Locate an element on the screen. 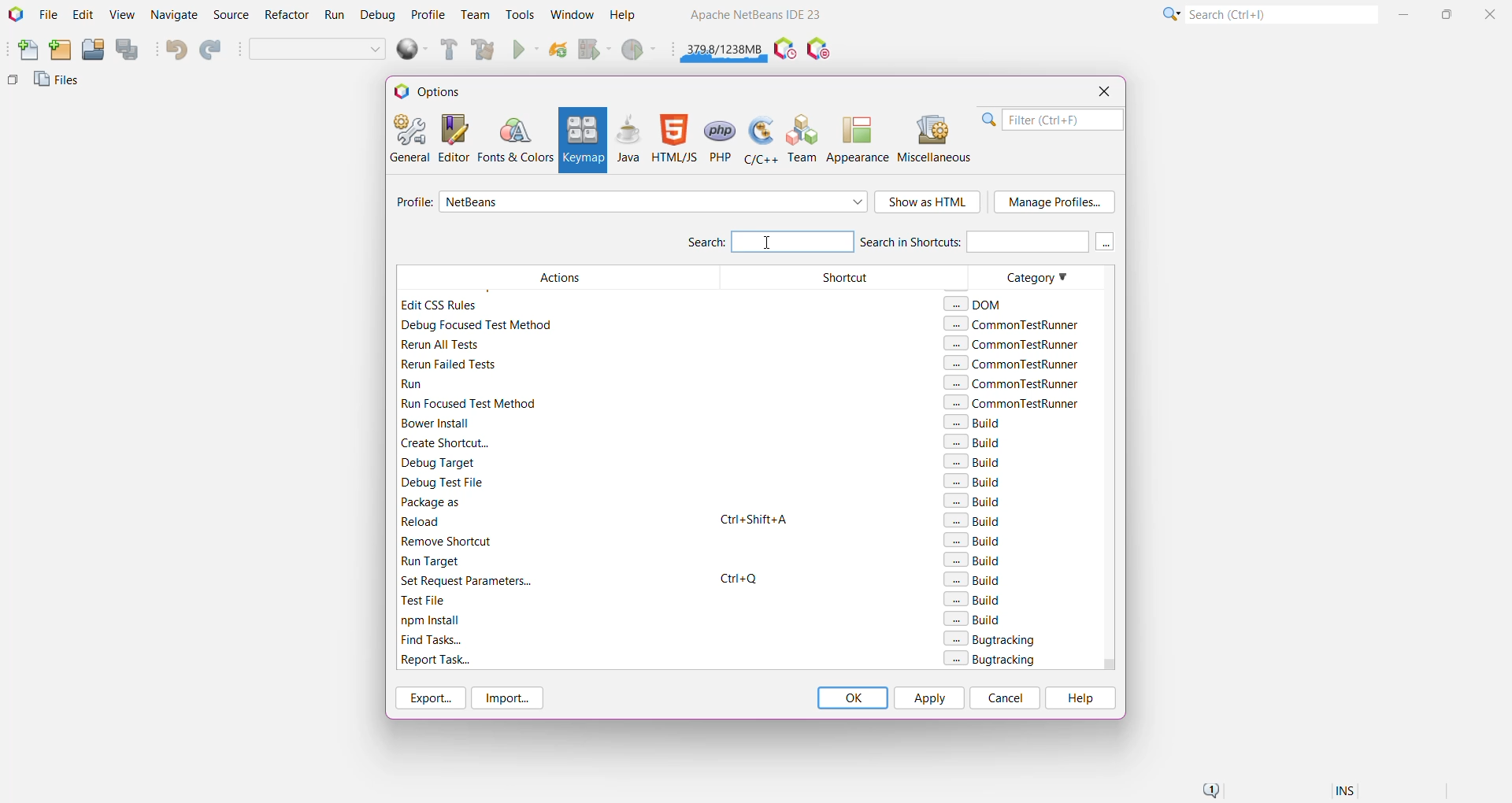 This screenshot has width=1512, height=803. Close is located at coordinates (1103, 91).